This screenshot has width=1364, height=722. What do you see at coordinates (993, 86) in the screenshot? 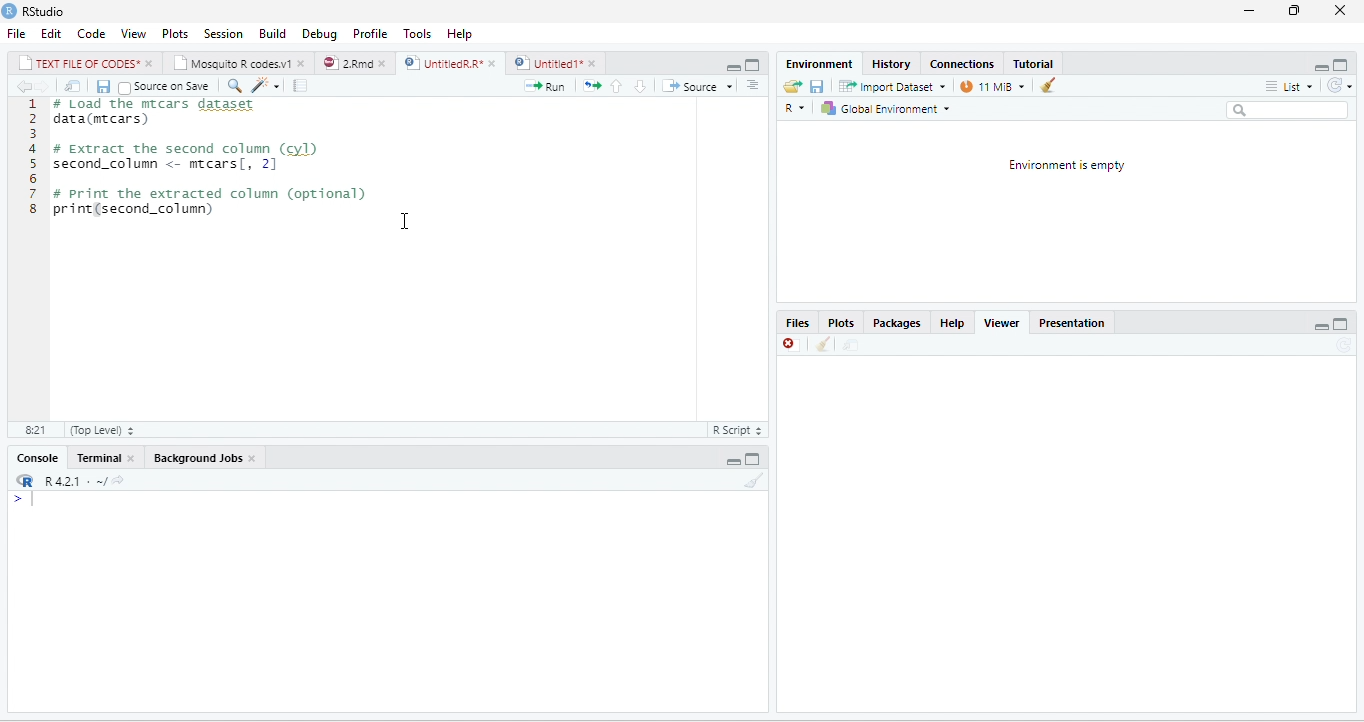
I see `14 MB` at bounding box center [993, 86].